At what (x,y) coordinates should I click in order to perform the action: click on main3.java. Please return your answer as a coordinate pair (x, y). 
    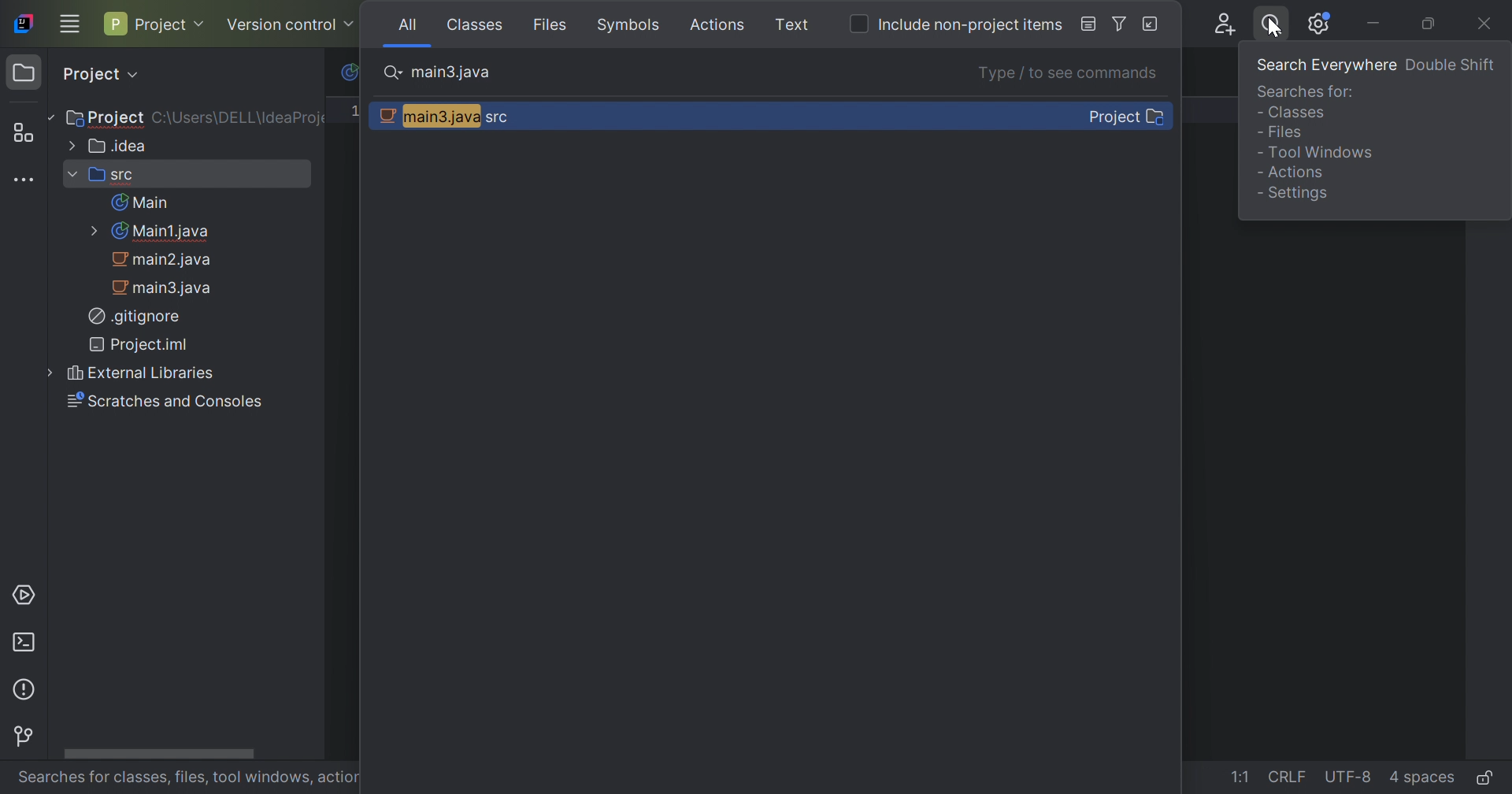
    Looking at the image, I should click on (452, 73).